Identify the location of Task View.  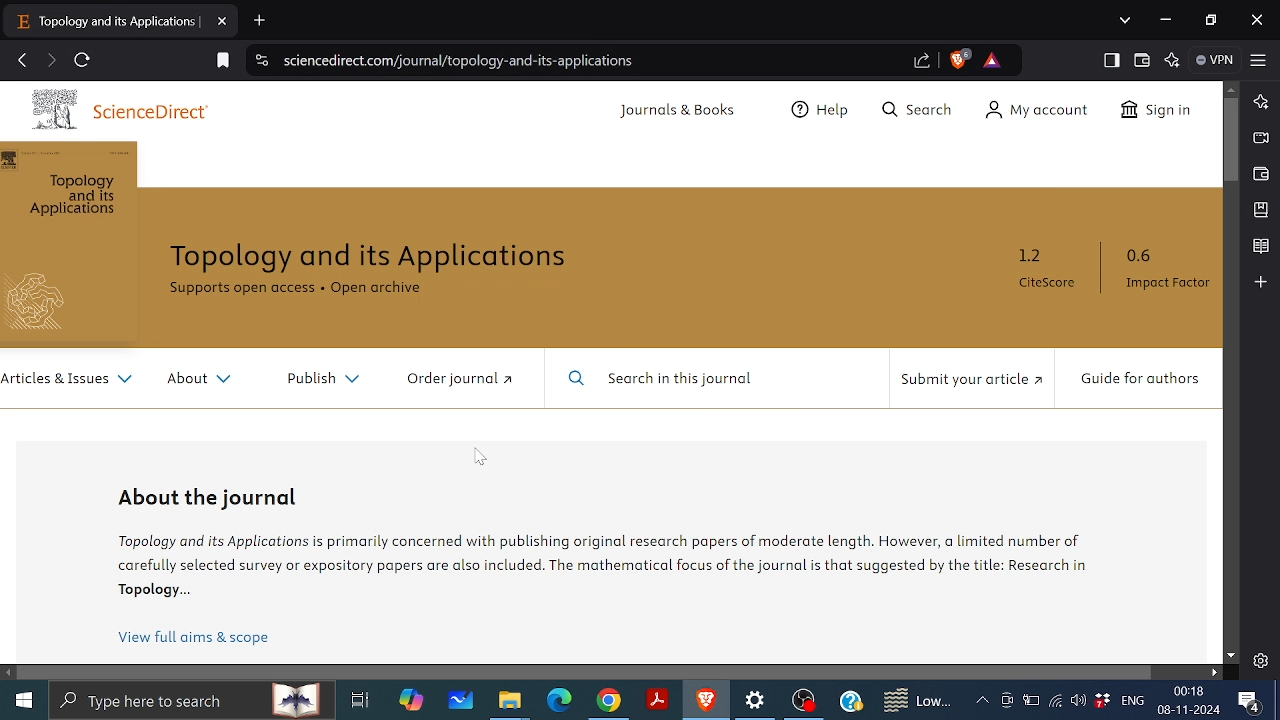
(358, 700).